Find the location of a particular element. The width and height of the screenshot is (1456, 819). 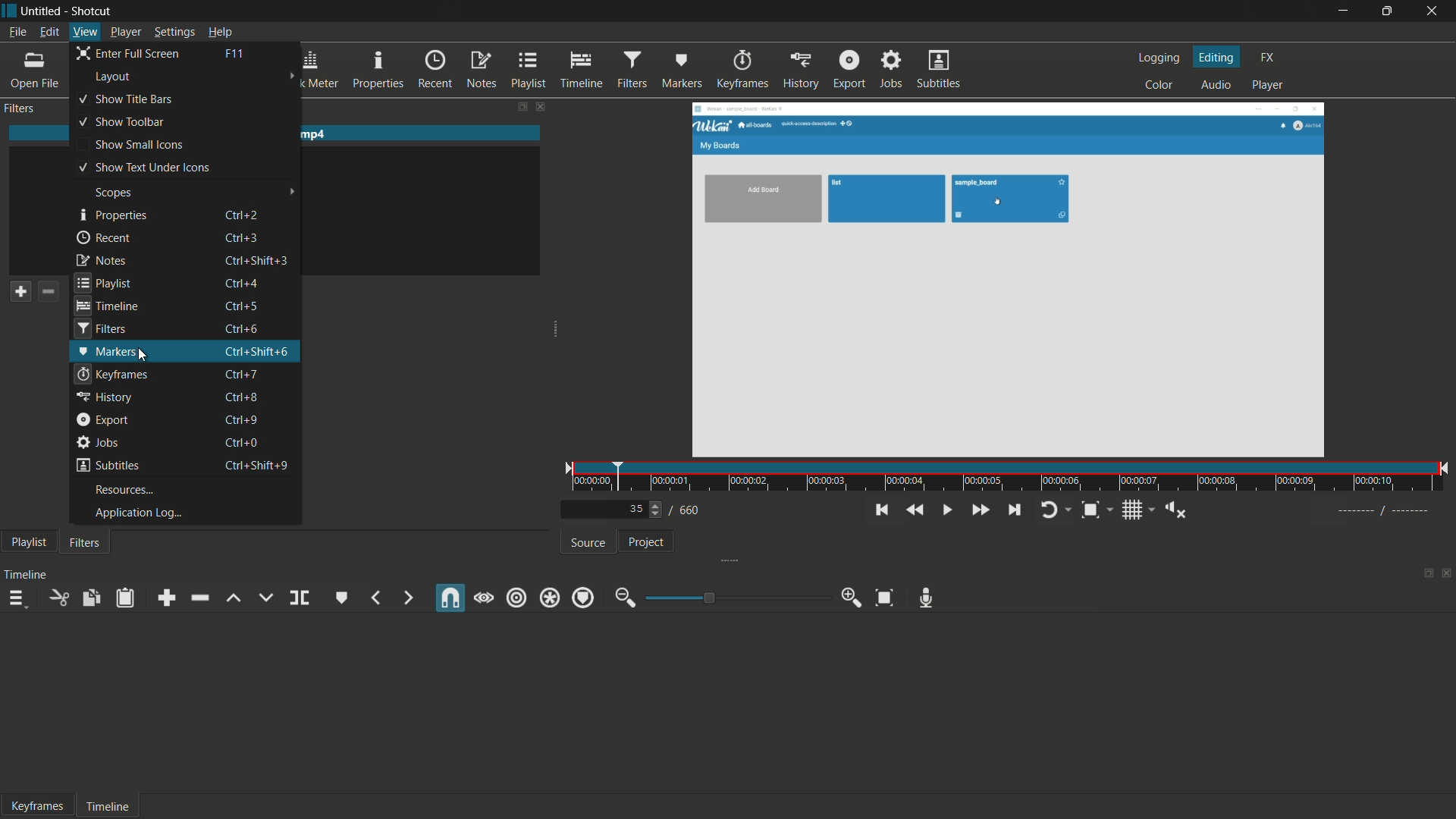

show text under icons is located at coordinates (143, 168).